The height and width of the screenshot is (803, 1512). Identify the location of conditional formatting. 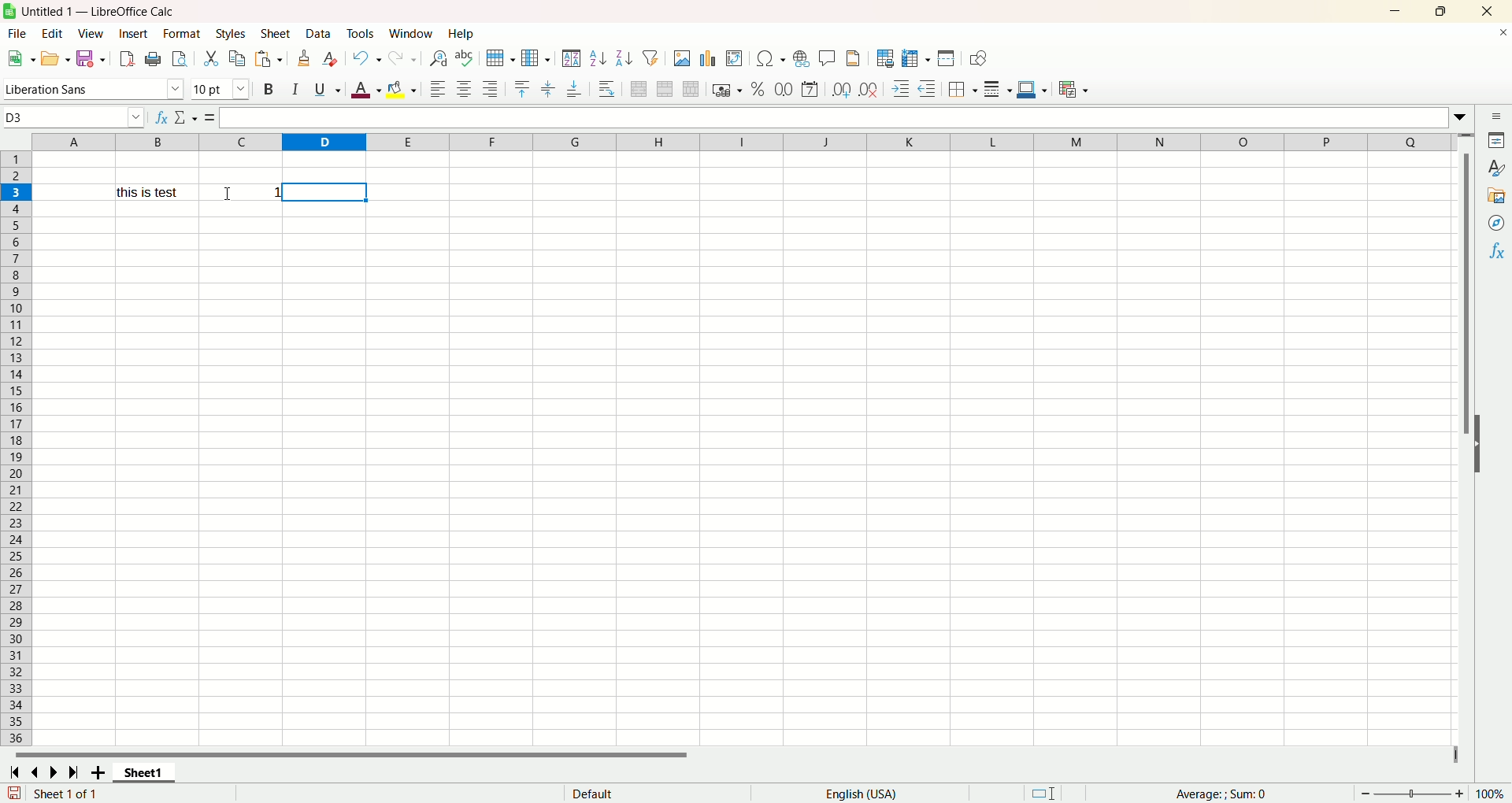
(1077, 91).